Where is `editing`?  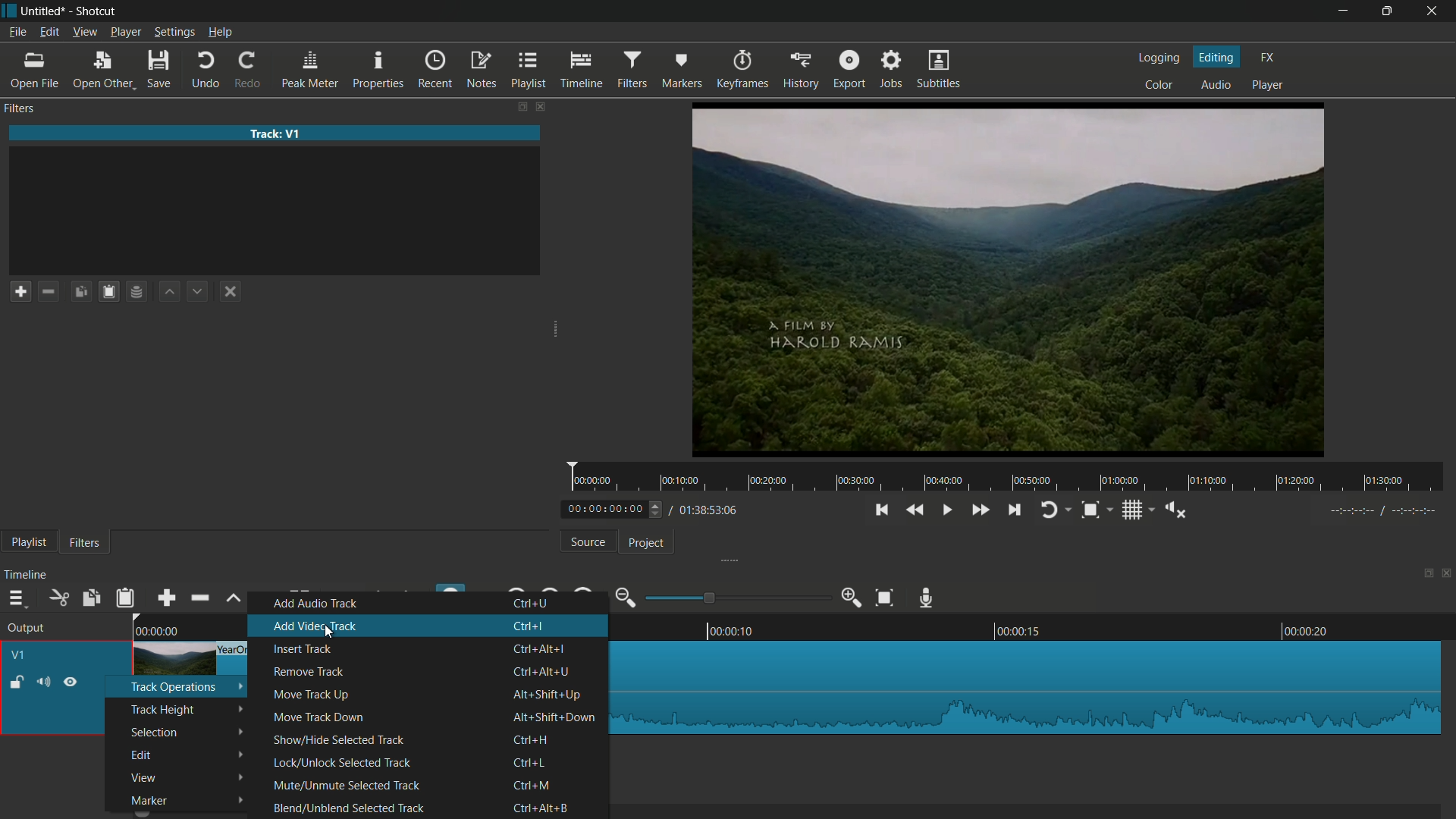 editing is located at coordinates (1217, 57).